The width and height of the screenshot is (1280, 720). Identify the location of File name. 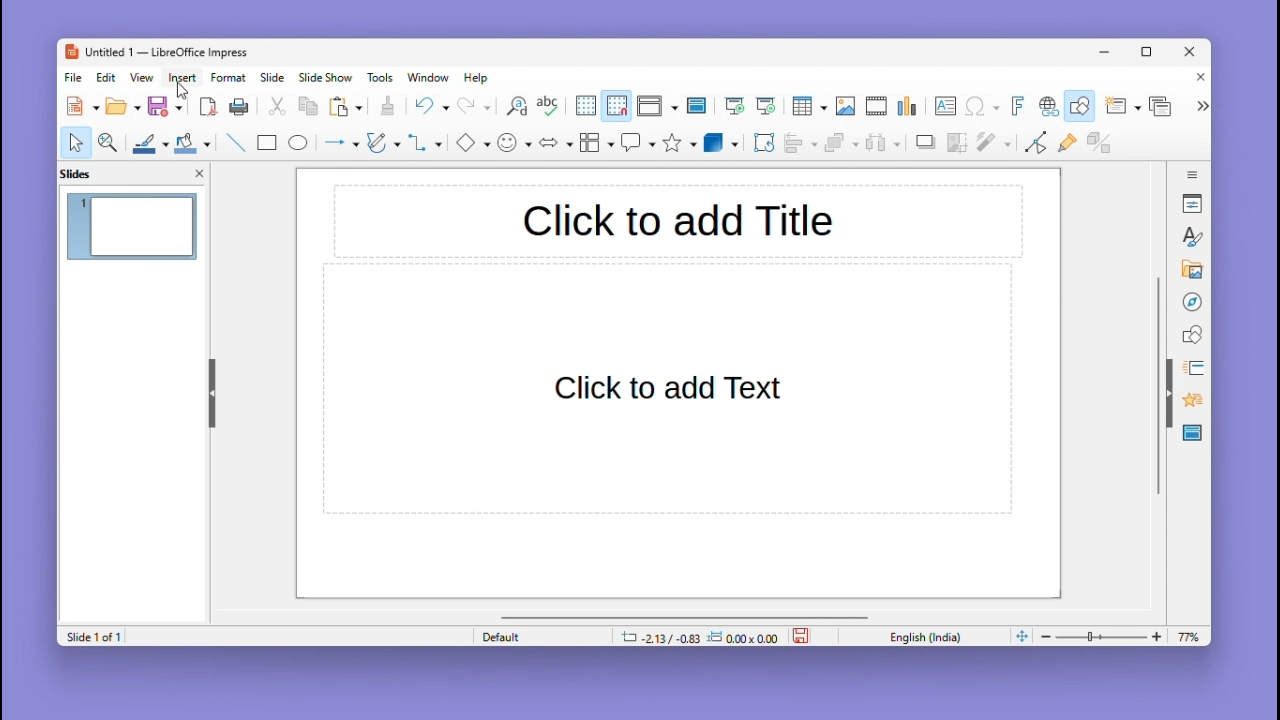
(155, 53).